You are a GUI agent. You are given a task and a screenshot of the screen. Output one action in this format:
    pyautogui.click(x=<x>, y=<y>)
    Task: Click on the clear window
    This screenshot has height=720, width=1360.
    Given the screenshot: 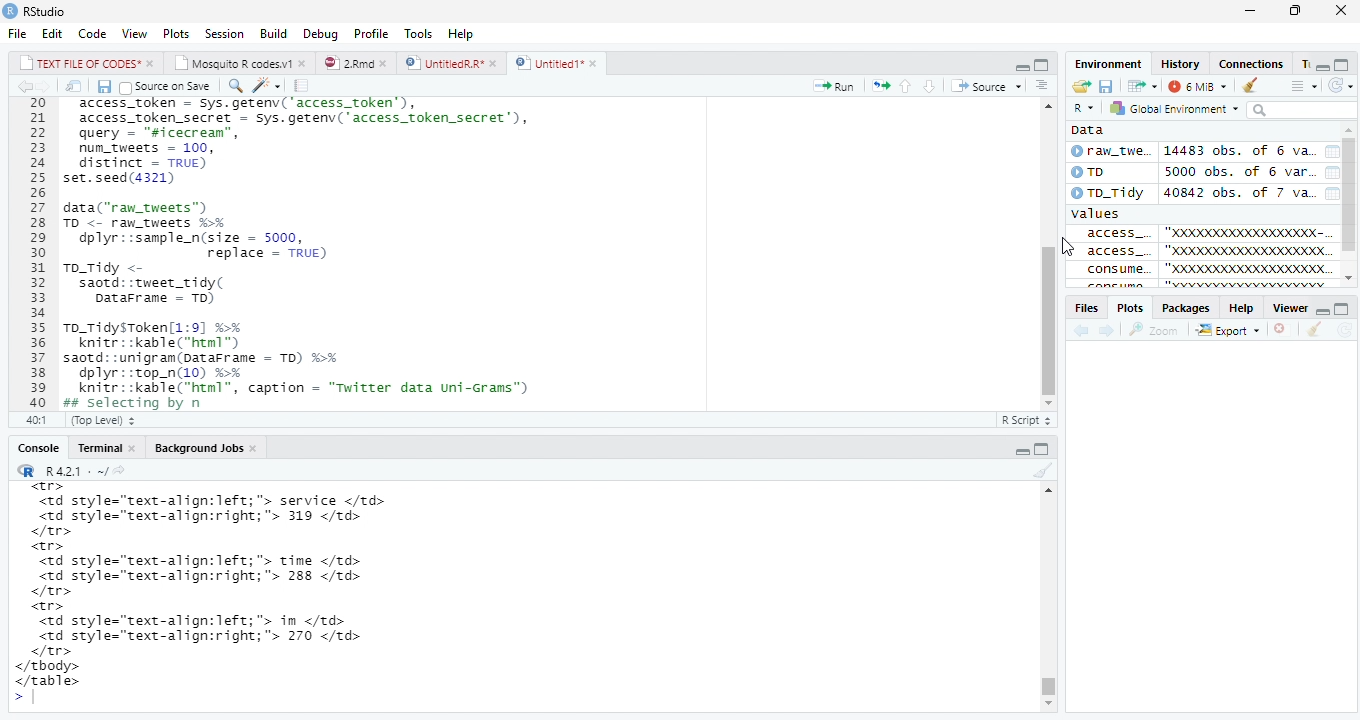 What is the action you would take?
    pyautogui.click(x=1255, y=86)
    